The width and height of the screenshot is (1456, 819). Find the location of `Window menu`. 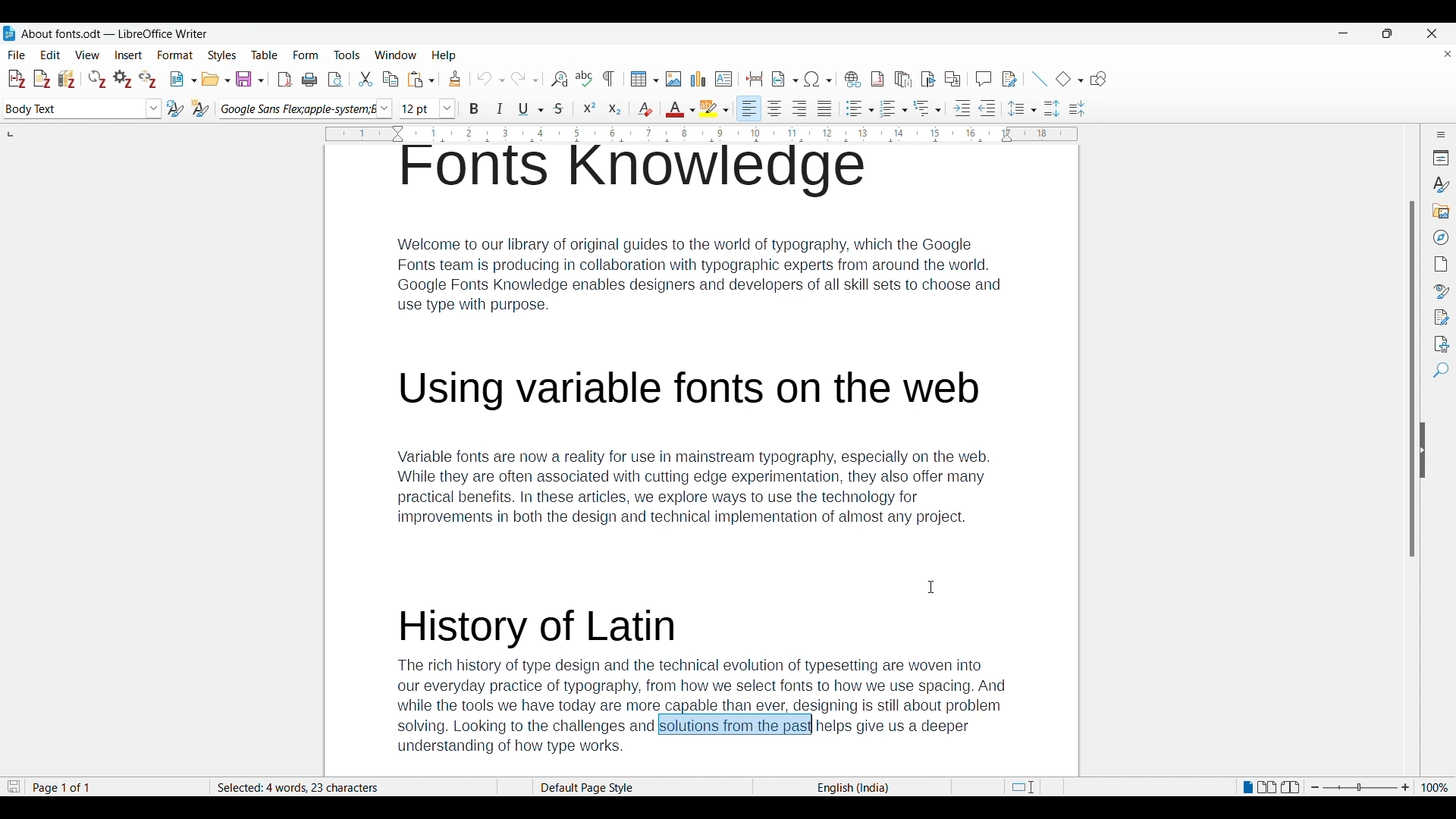

Window menu is located at coordinates (396, 55).